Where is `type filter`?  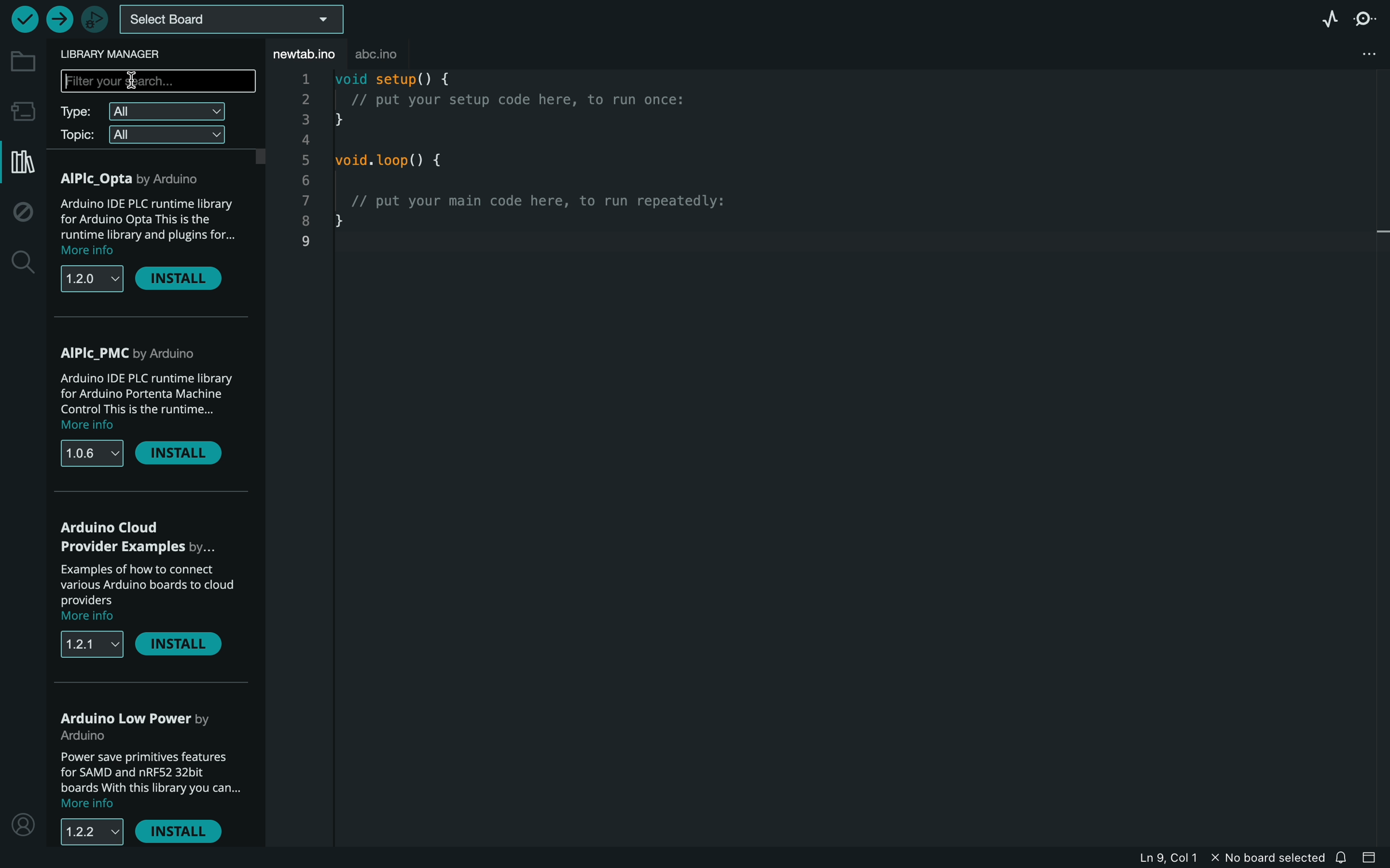
type filter is located at coordinates (150, 110).